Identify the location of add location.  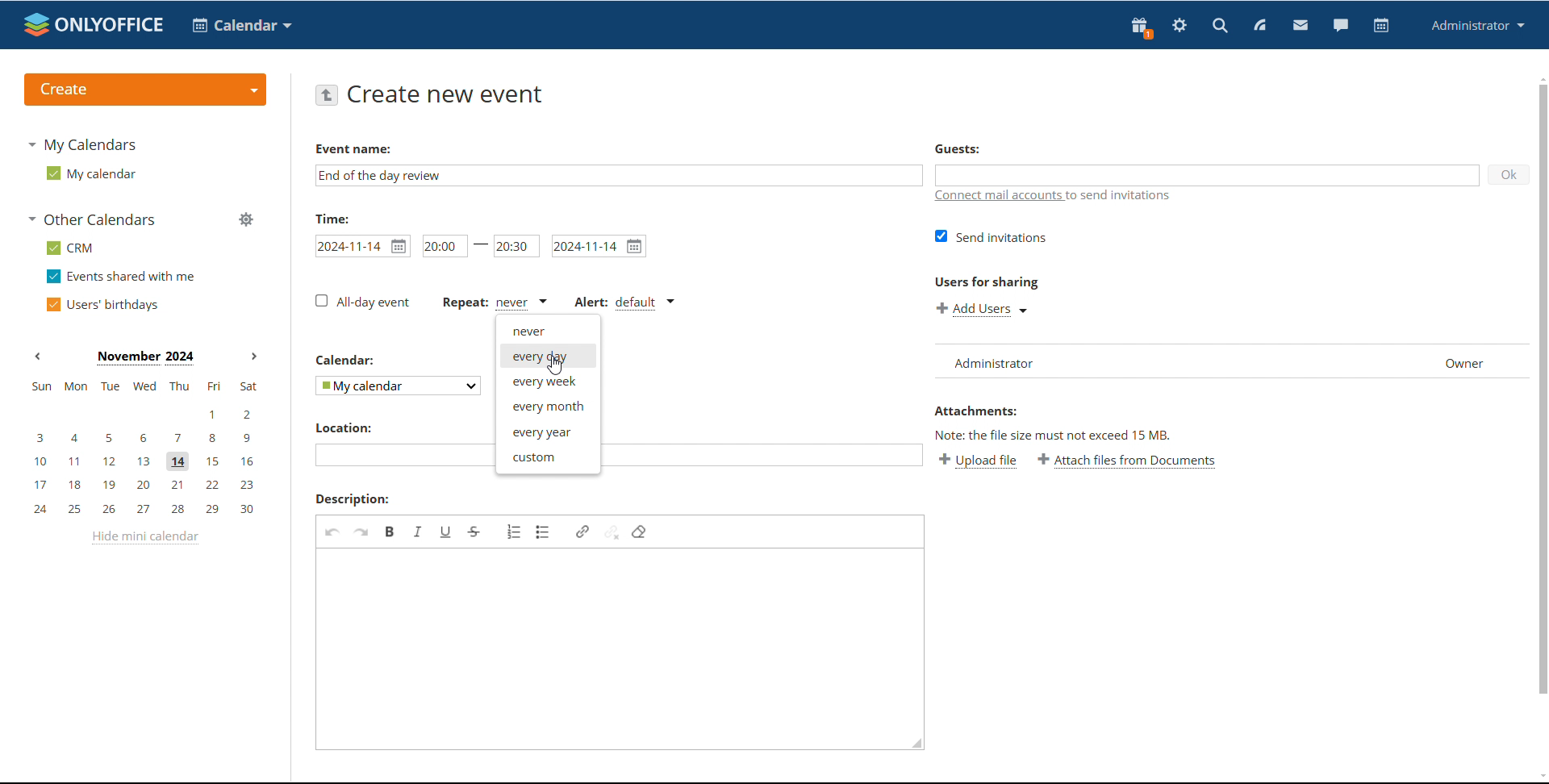
(401, 455).